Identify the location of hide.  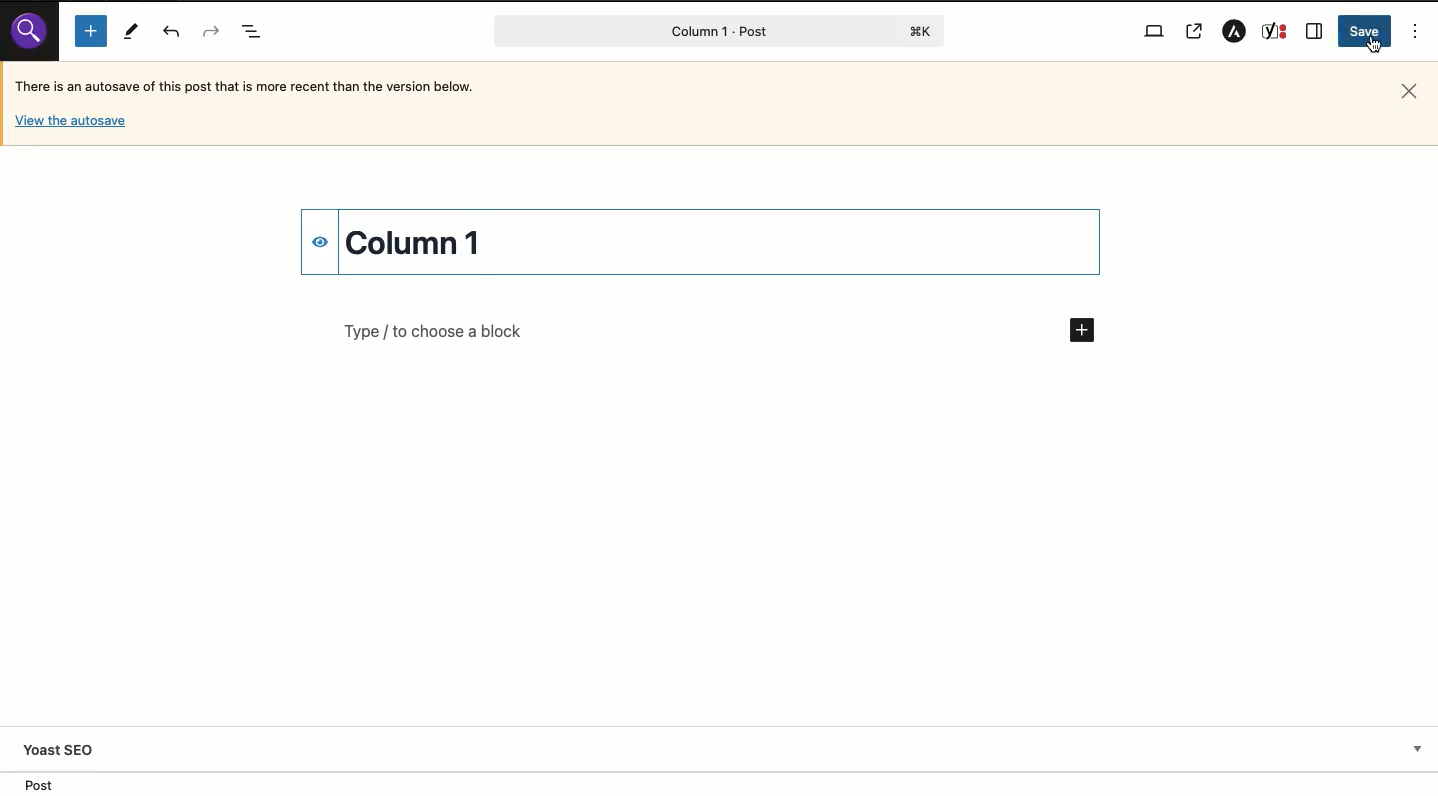
(320, 241).